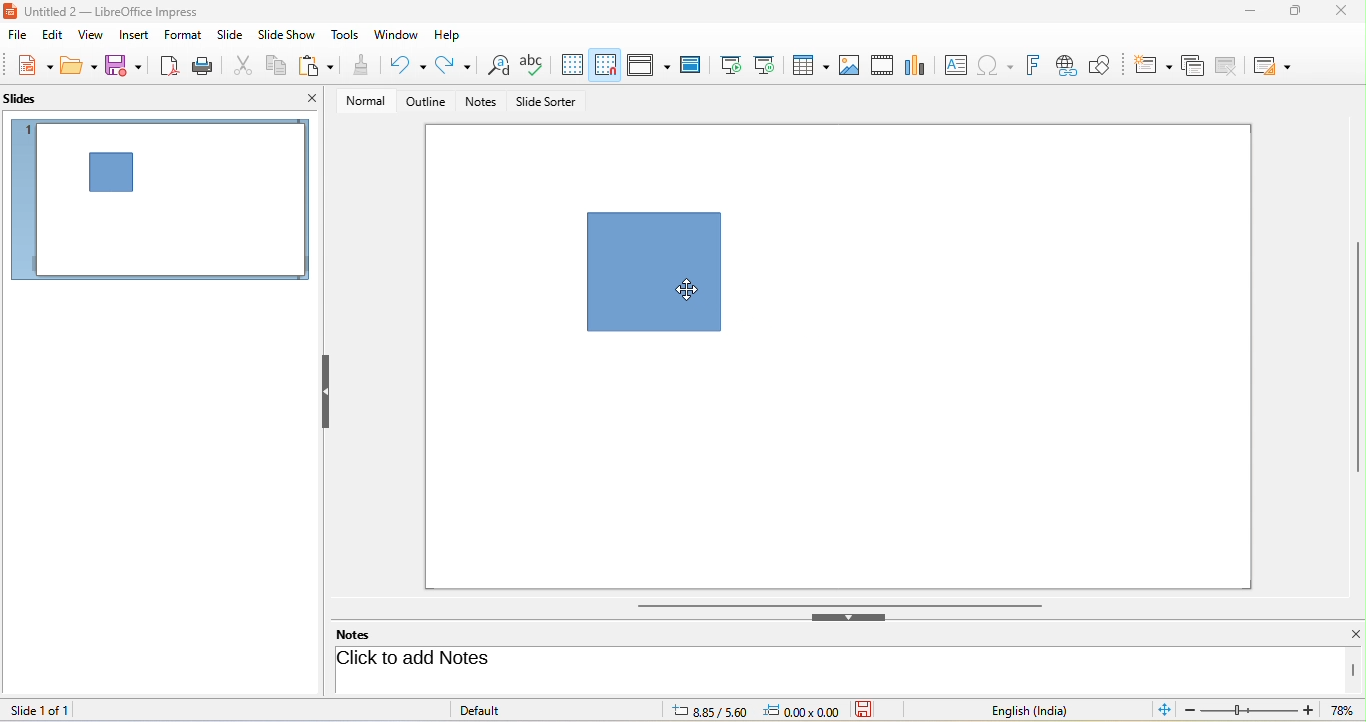 The image size is (1366, 722). I want to click on new, so click(28, 67).